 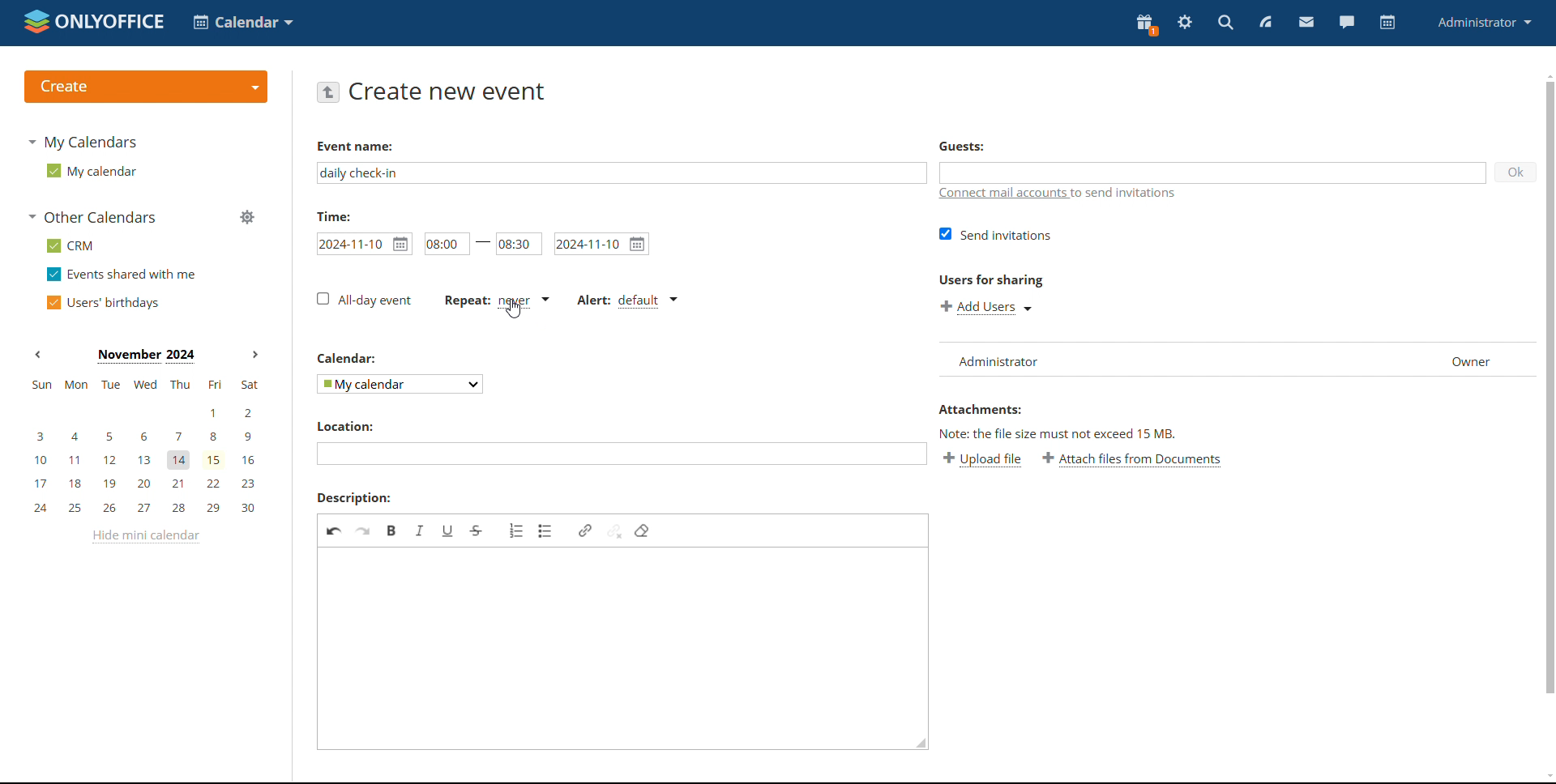 I want to click on hide mini calendar, so click(x=143, y=537).